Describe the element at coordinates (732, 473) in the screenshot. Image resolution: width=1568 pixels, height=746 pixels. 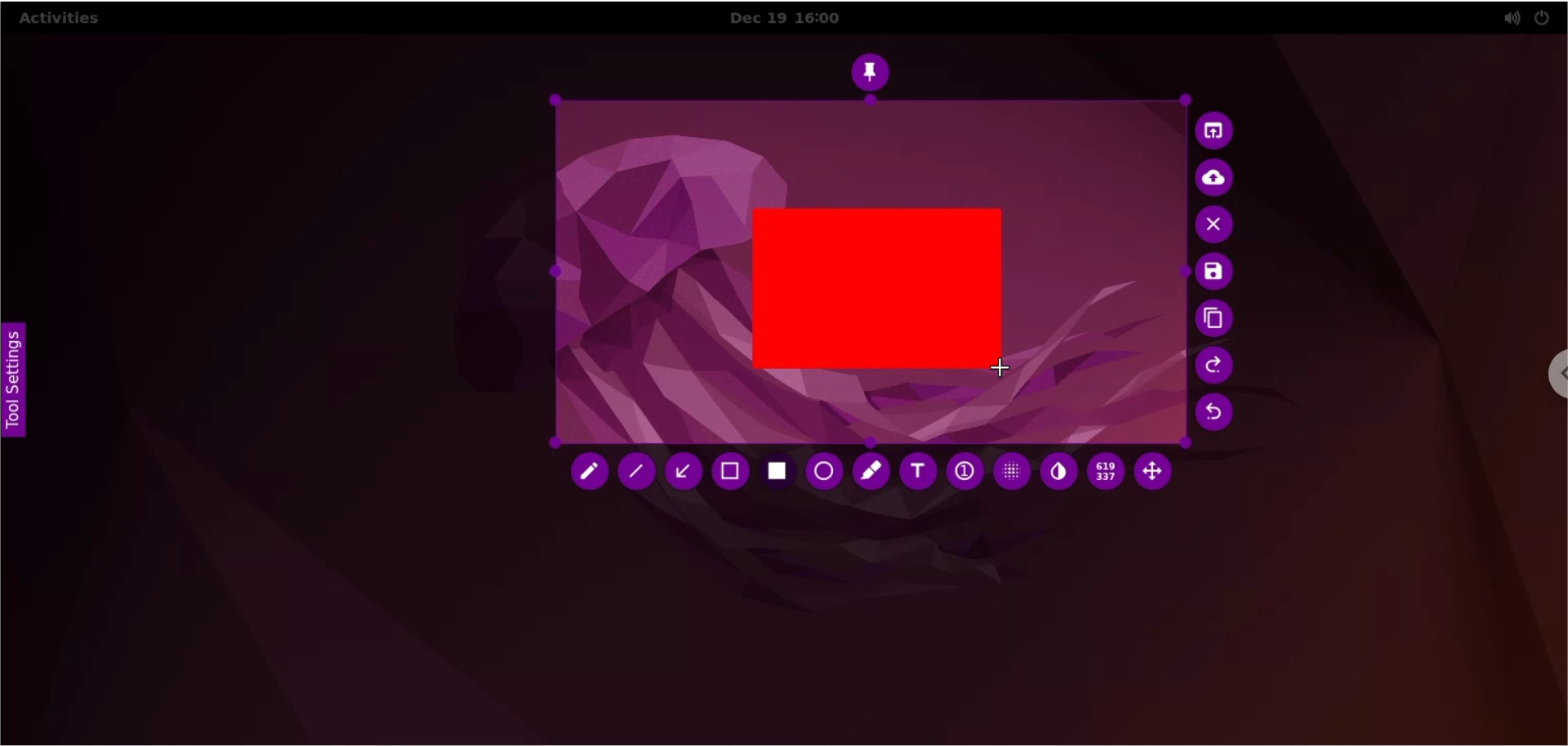
I see `retangle tool` at that location.